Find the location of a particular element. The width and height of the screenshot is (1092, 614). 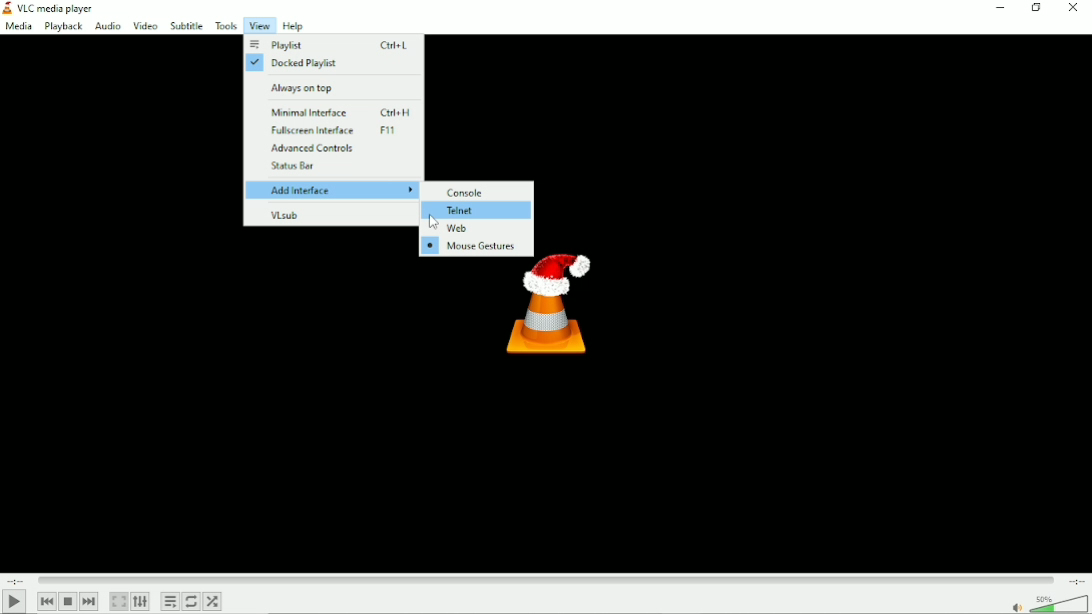

Status bar is located at coordinates (332, 168).